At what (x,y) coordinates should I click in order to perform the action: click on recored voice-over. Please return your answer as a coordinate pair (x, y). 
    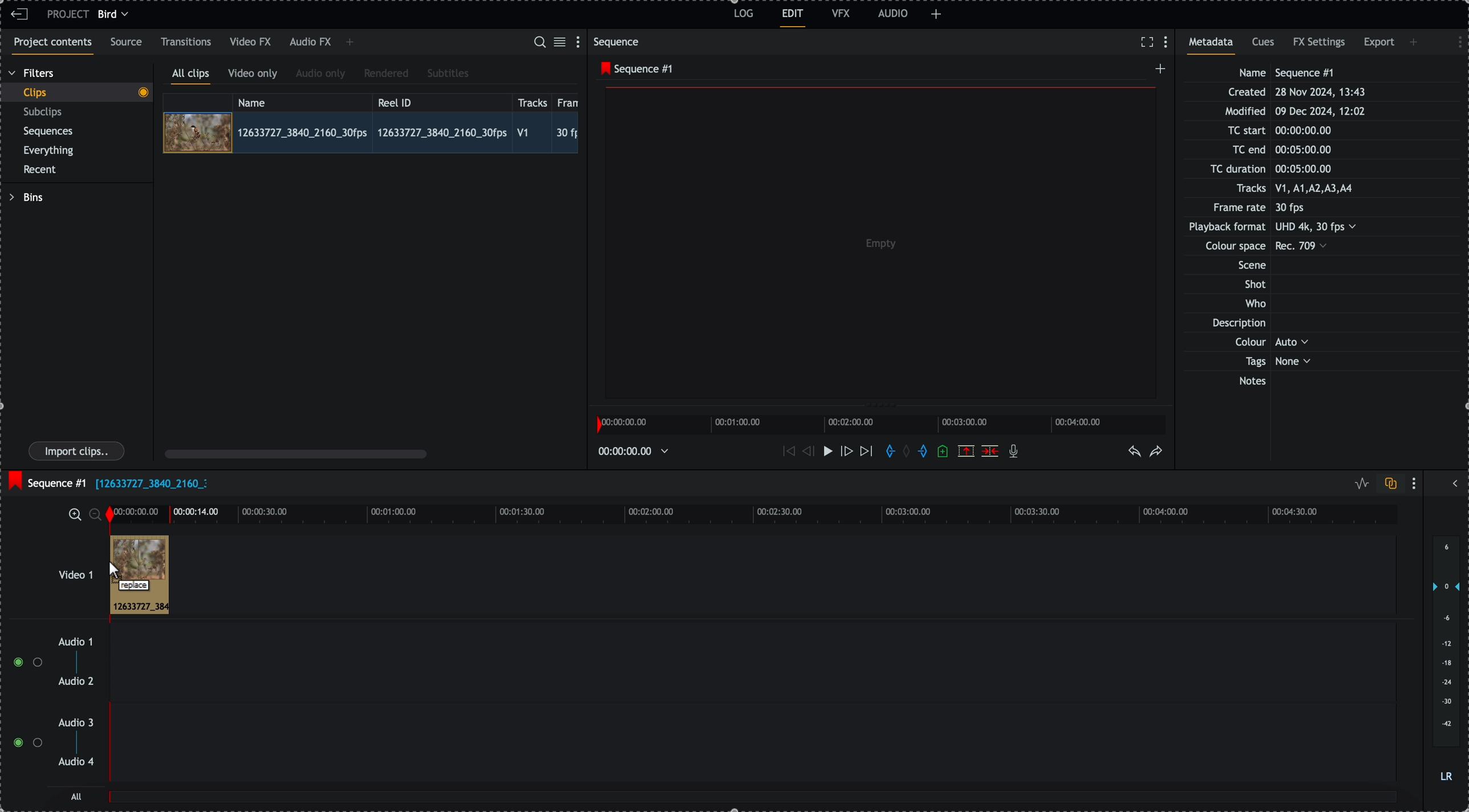
    Looking at the image, I should click on (1016, 452).